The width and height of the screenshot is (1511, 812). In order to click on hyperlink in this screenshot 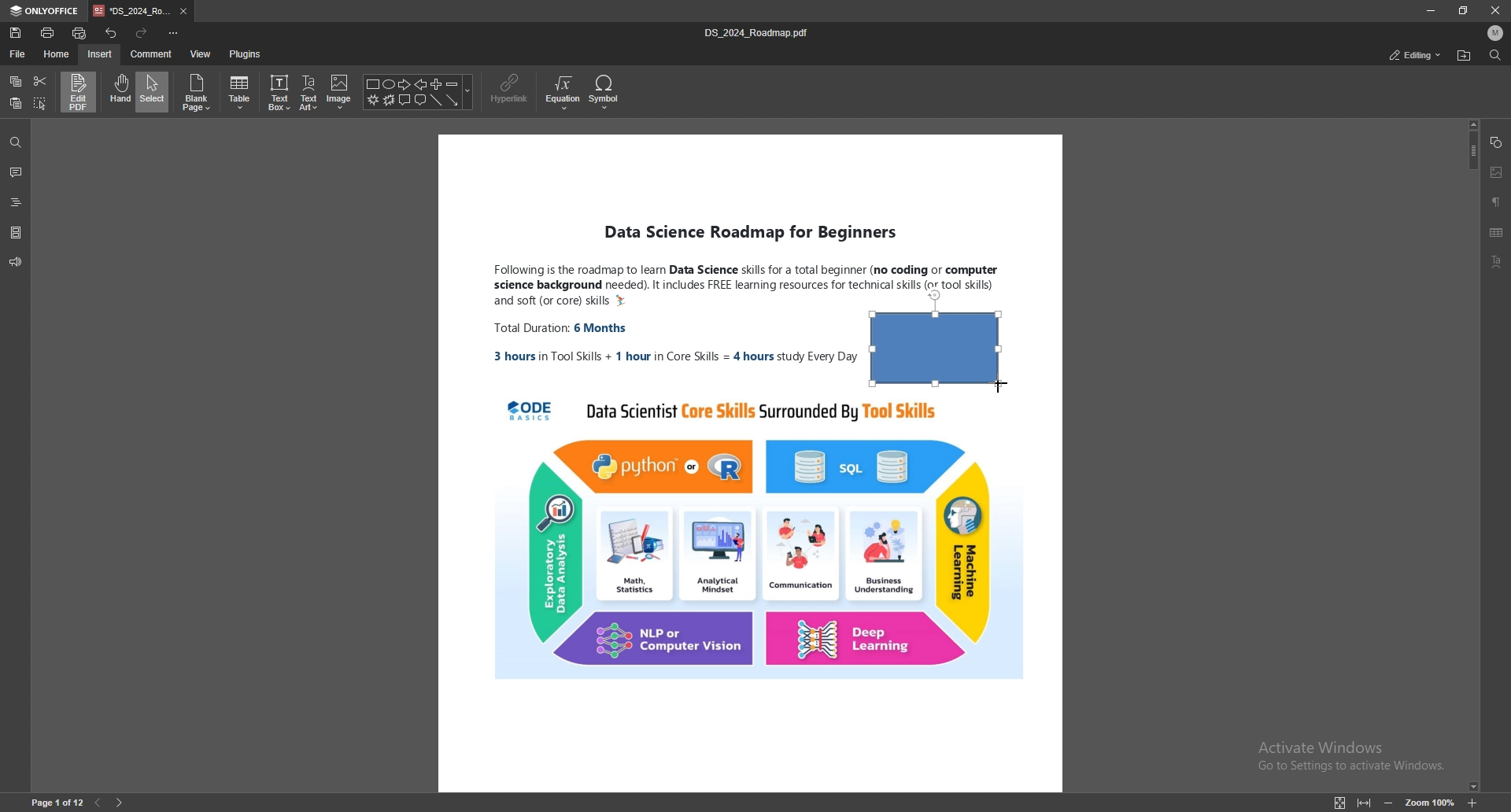, I will do `click(512, 90)`.